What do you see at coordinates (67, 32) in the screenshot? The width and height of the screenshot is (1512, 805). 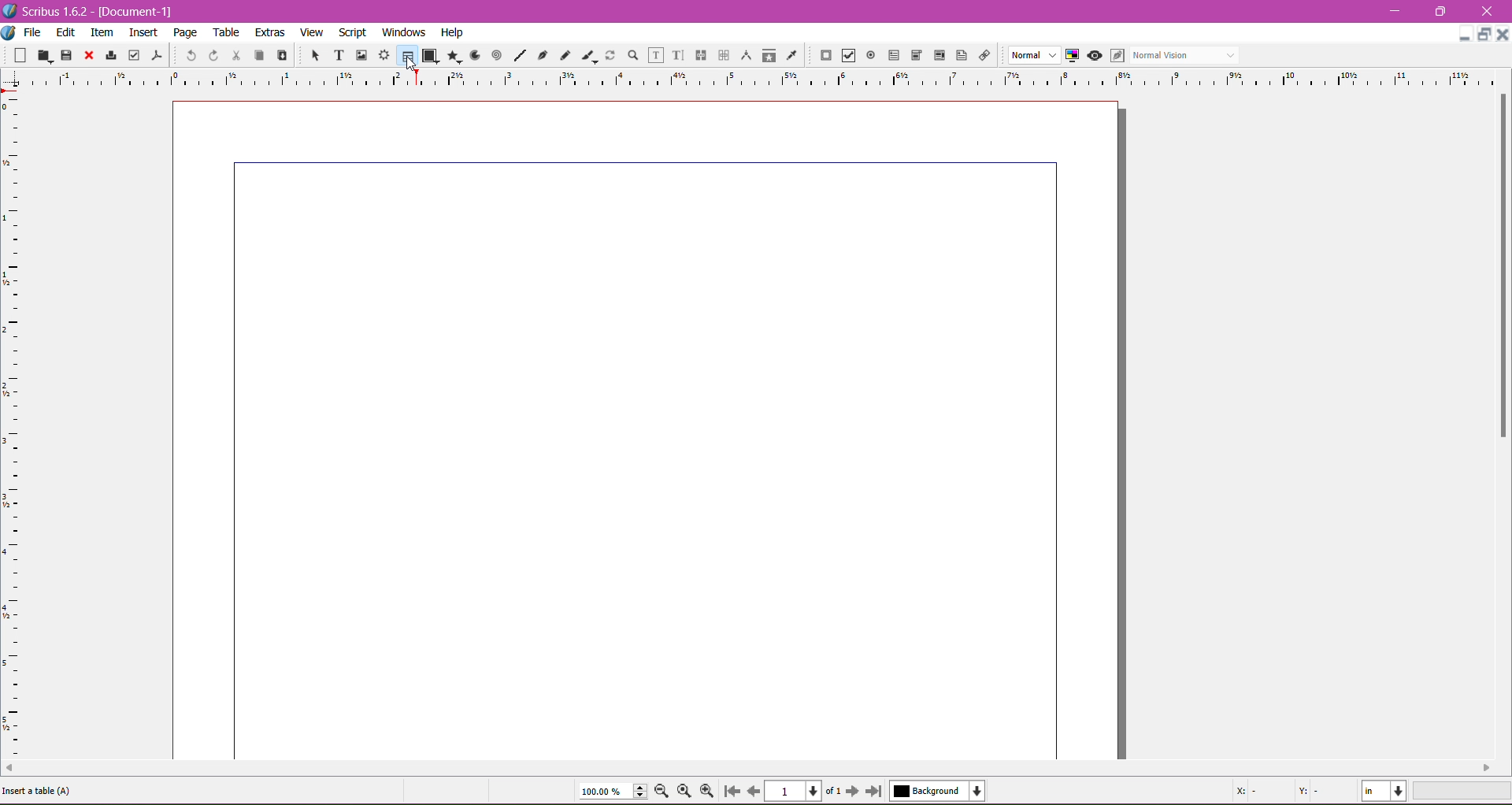 I see `Edit` at bounding box center [67, 32].